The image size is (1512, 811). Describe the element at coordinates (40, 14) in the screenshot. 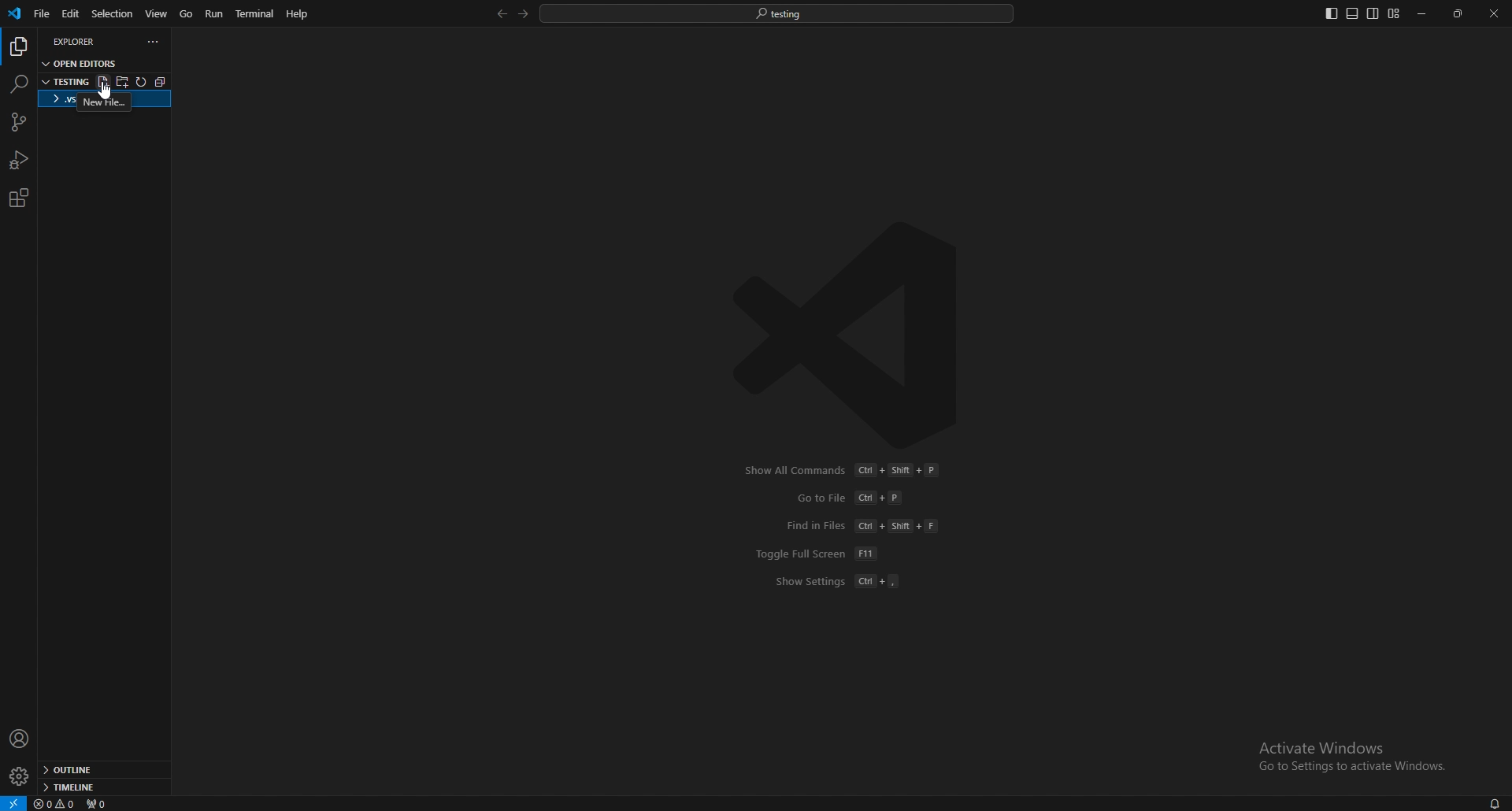

I see `file` at that location.